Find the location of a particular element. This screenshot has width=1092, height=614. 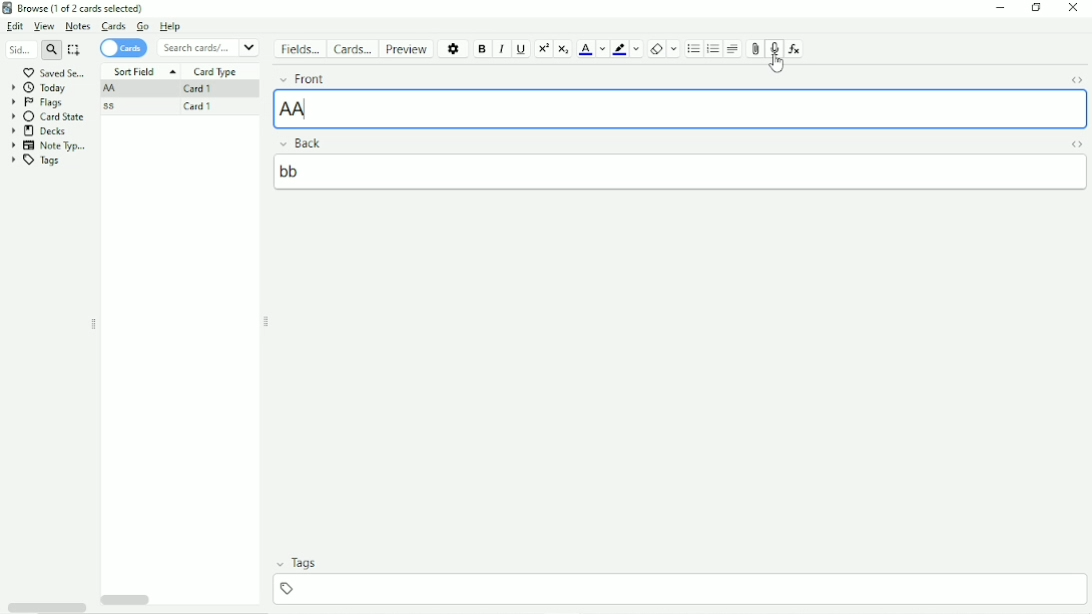

Underline is located at coordinates (522, 49).